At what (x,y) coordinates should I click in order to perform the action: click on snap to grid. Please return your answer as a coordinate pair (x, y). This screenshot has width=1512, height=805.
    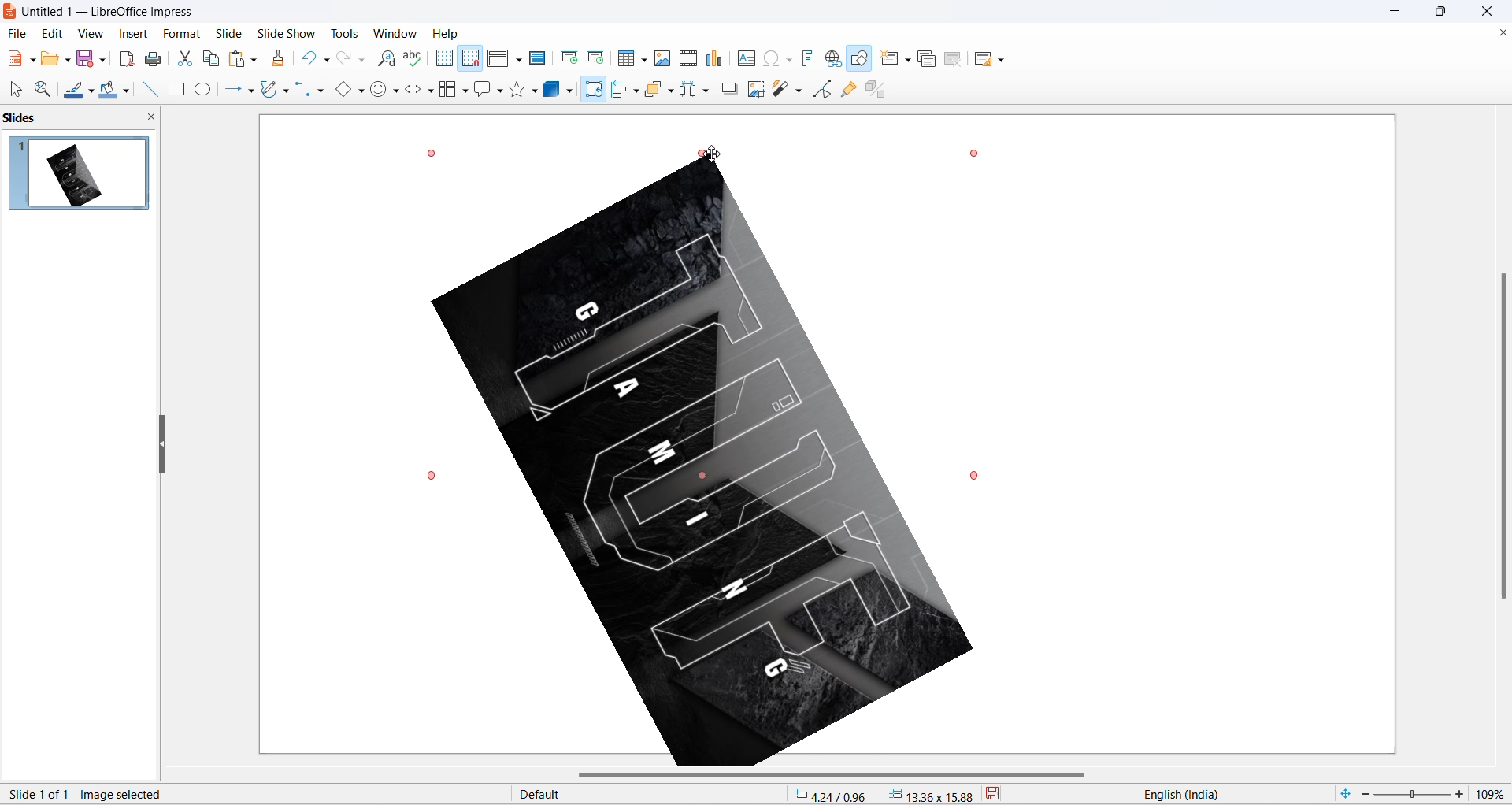
    Looking at the image, I should click on (470, 60).